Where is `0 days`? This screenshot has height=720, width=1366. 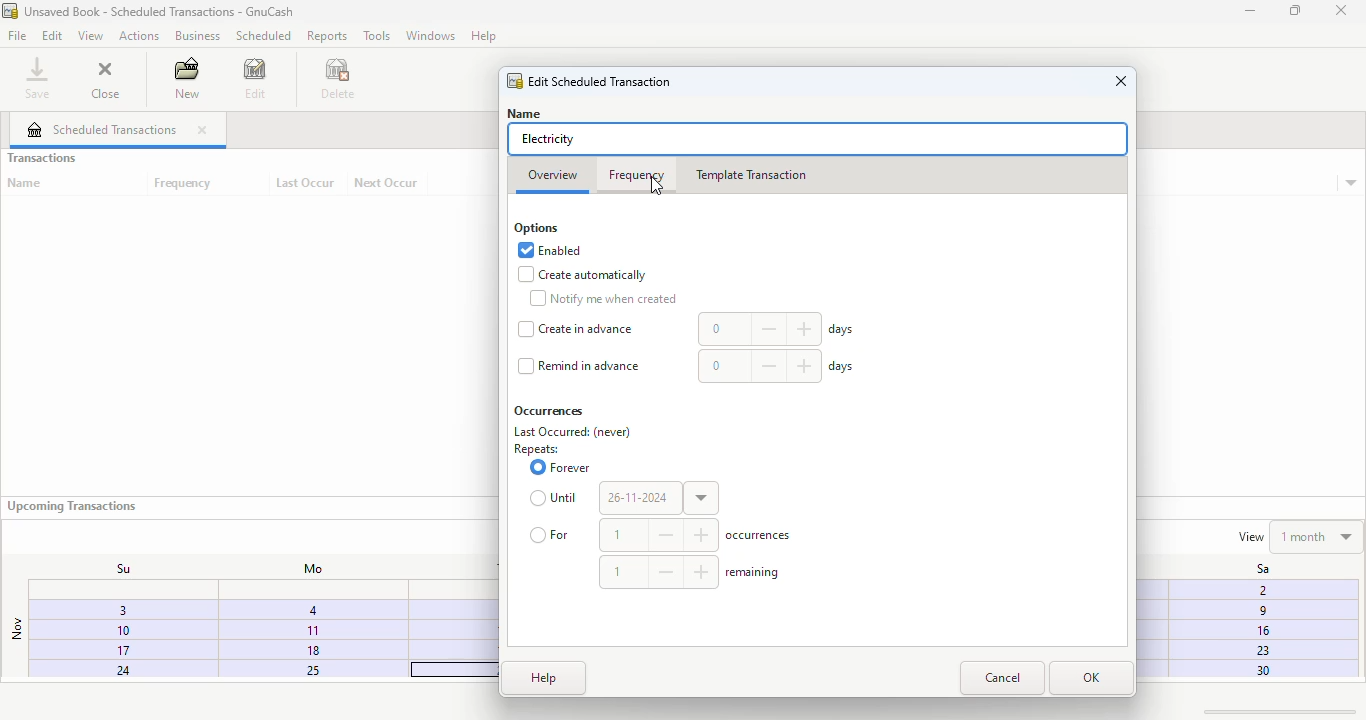 0 days is located at coordinates (777, 366).